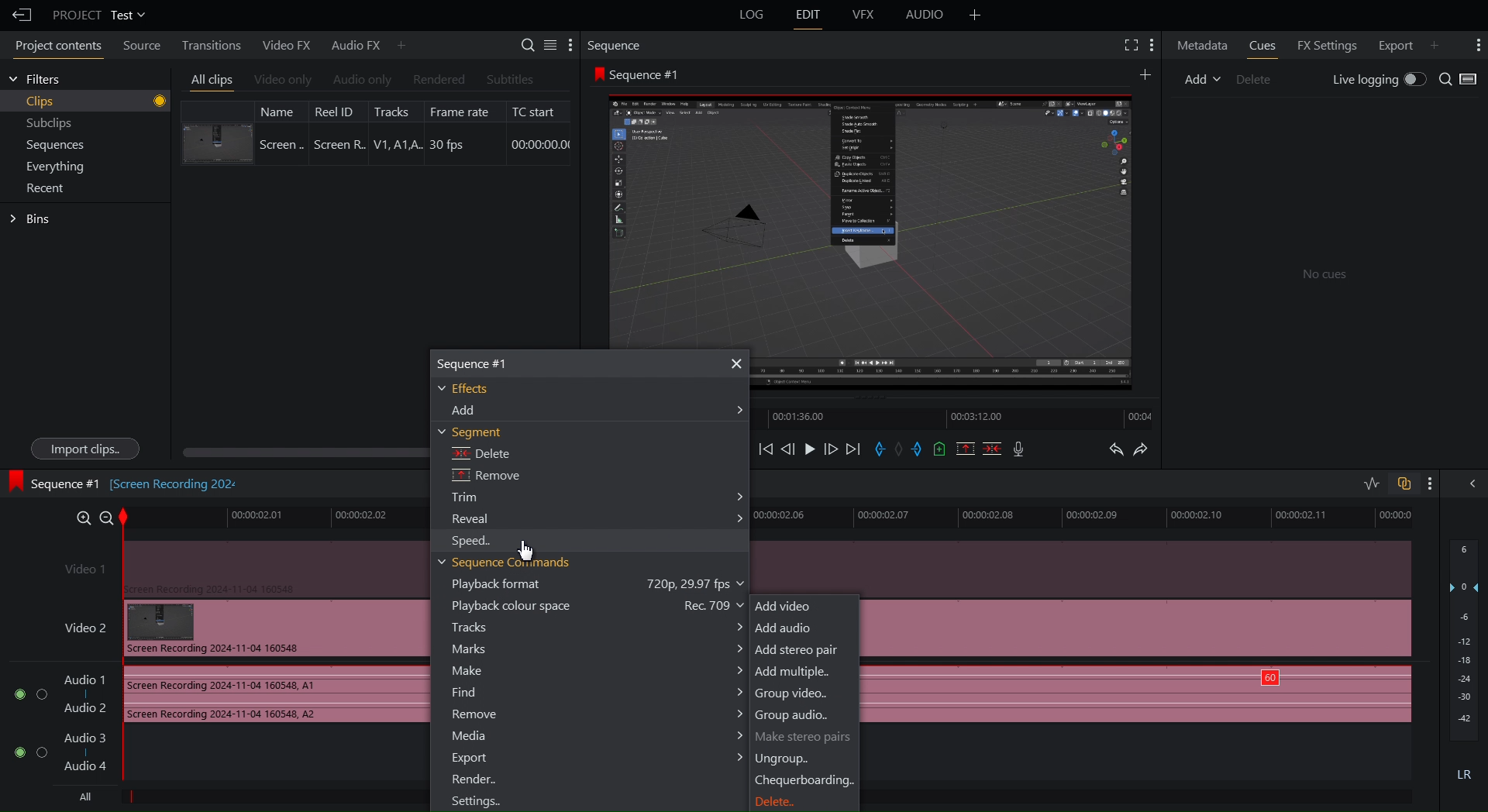 This screenshot has height=812, width=1488. What do you see at coordinates (1115, 451) in the screenshot?
I see `Undo` at bounding box center [1115, 451].